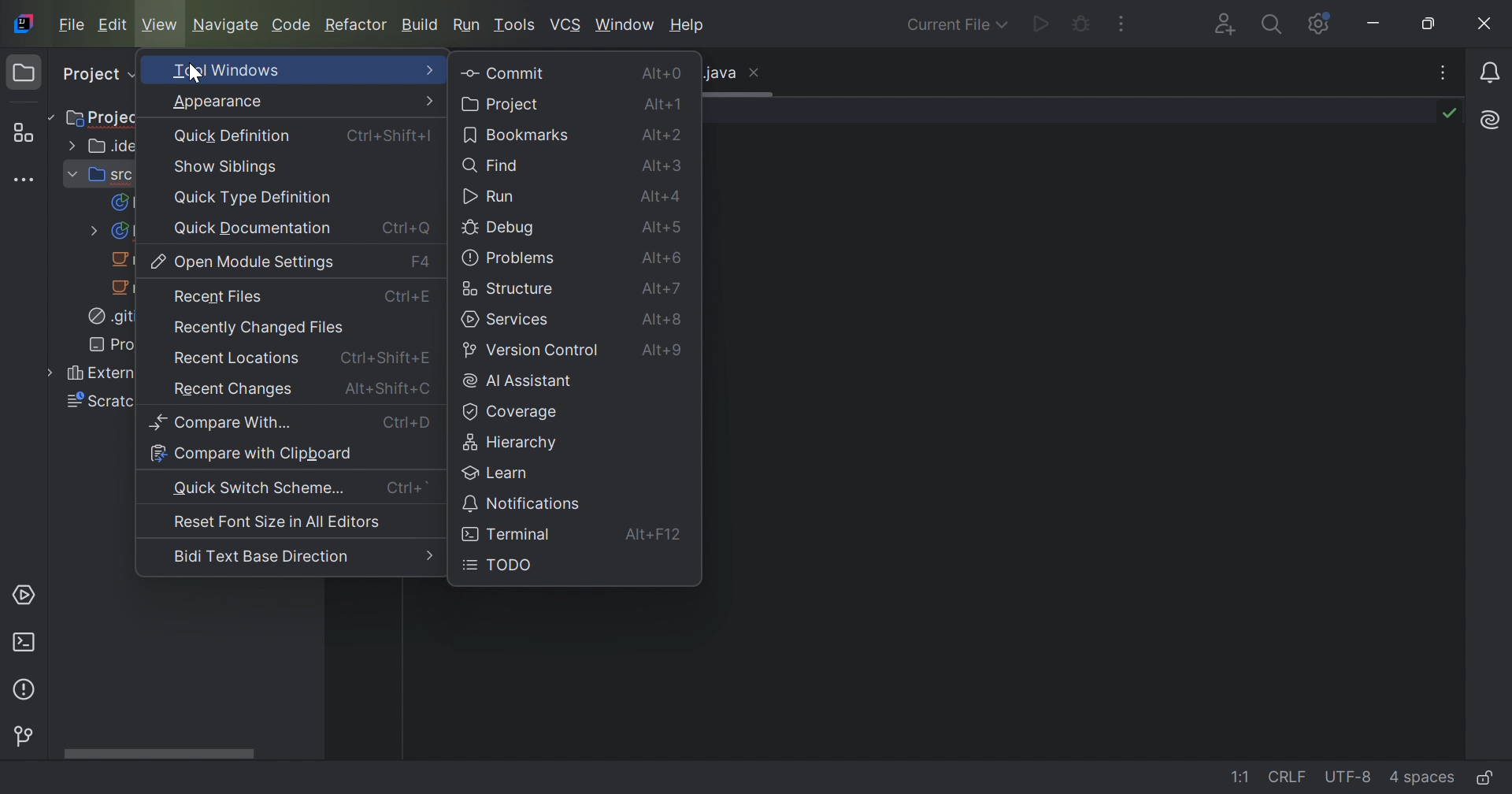 This screenshot has height=794, width=1512. I want to click on Code with me, so click(1229, 26).